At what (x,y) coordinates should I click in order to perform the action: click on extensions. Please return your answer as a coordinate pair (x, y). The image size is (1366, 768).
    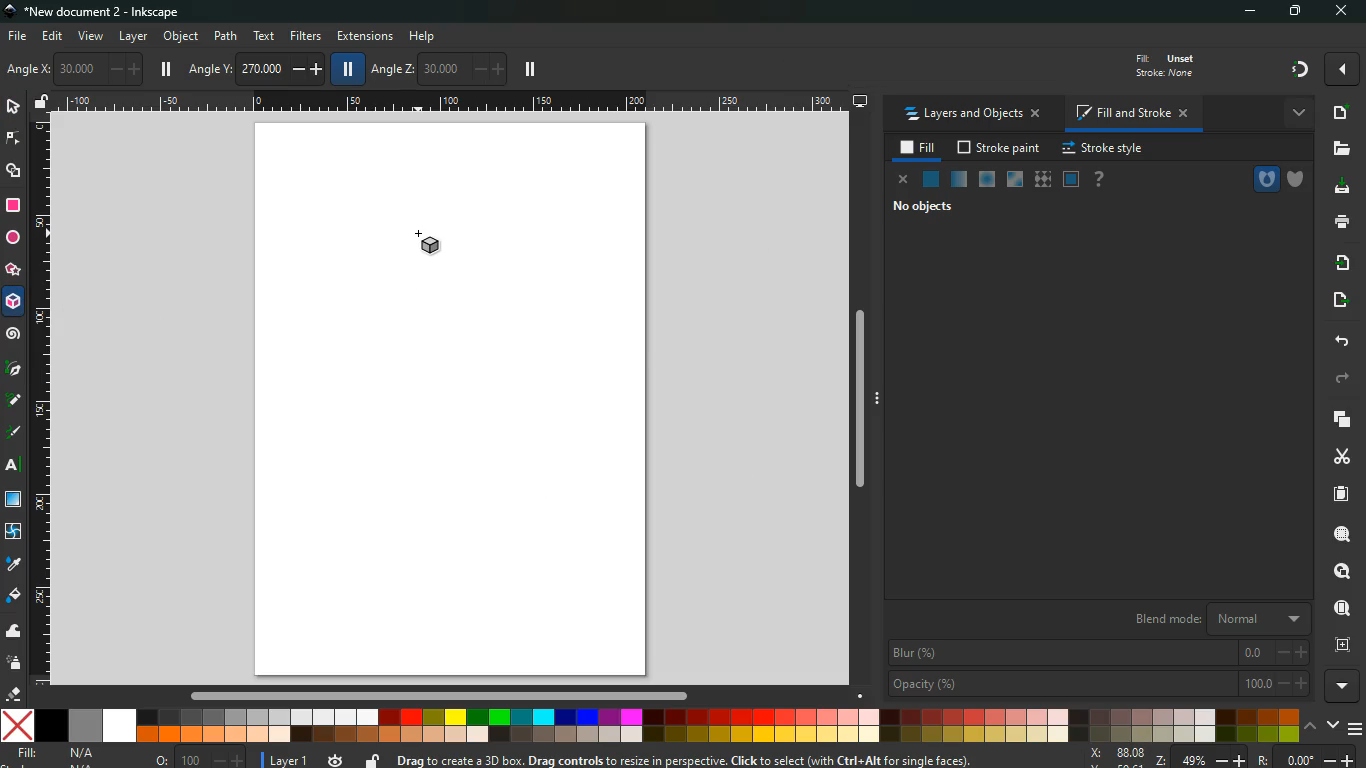
    Looking at the image, I should click on (365, 37).